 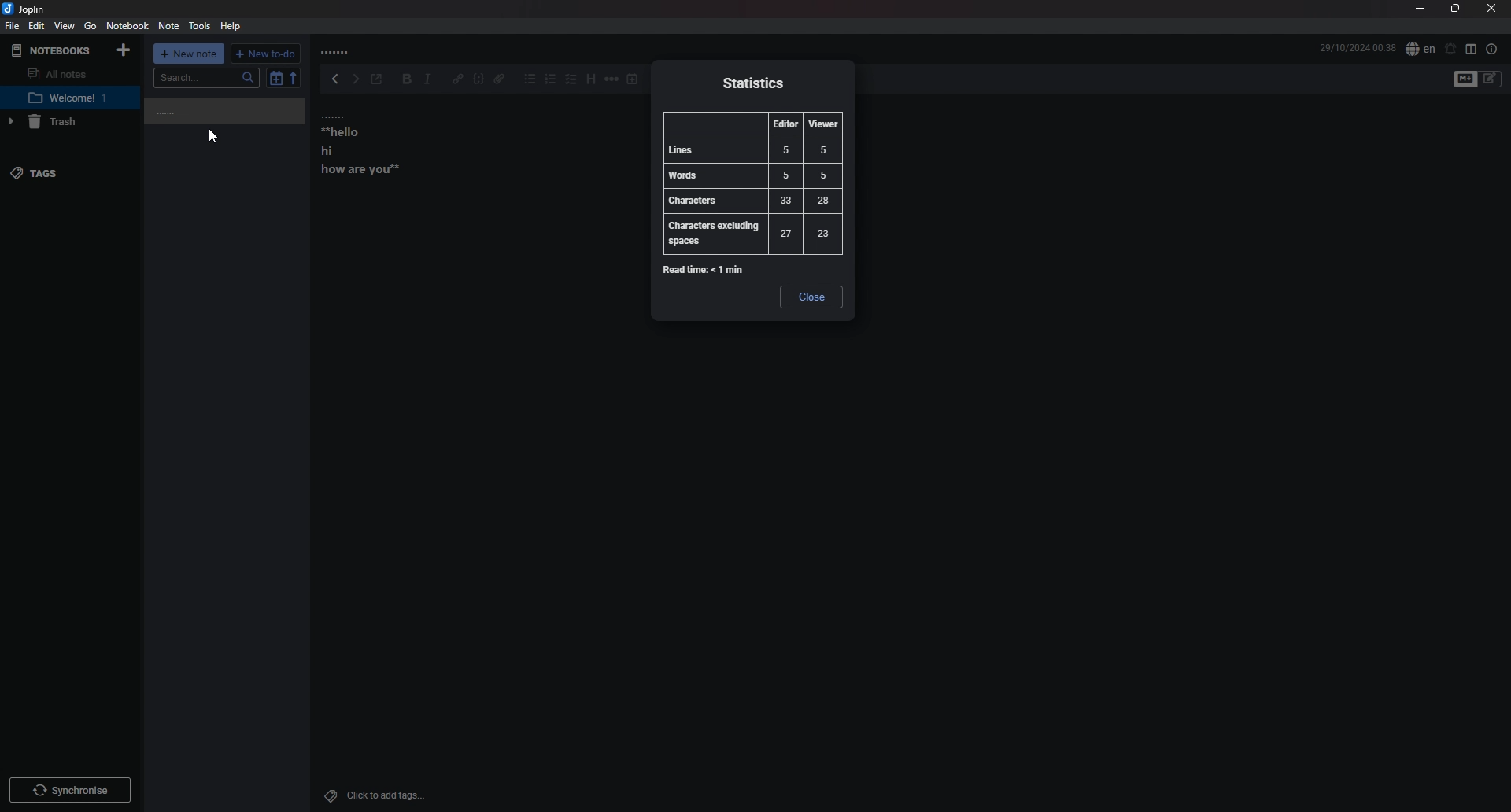 What do you see at coordinates (1452, 50) in the screenshot?
I see `Set alarm` at bounding box center [1452, 50].